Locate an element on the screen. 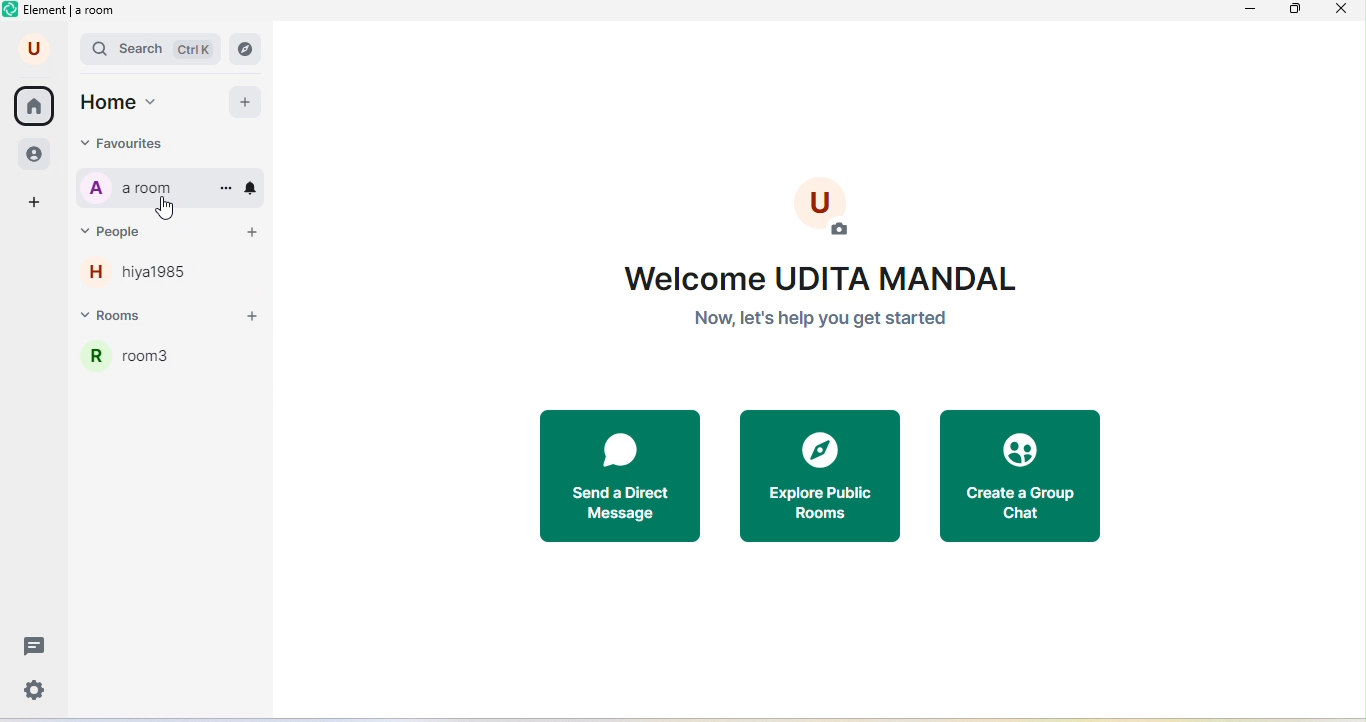 The width and height of the screenshot is (1366, 722). people is located at coordinates (32, 155).